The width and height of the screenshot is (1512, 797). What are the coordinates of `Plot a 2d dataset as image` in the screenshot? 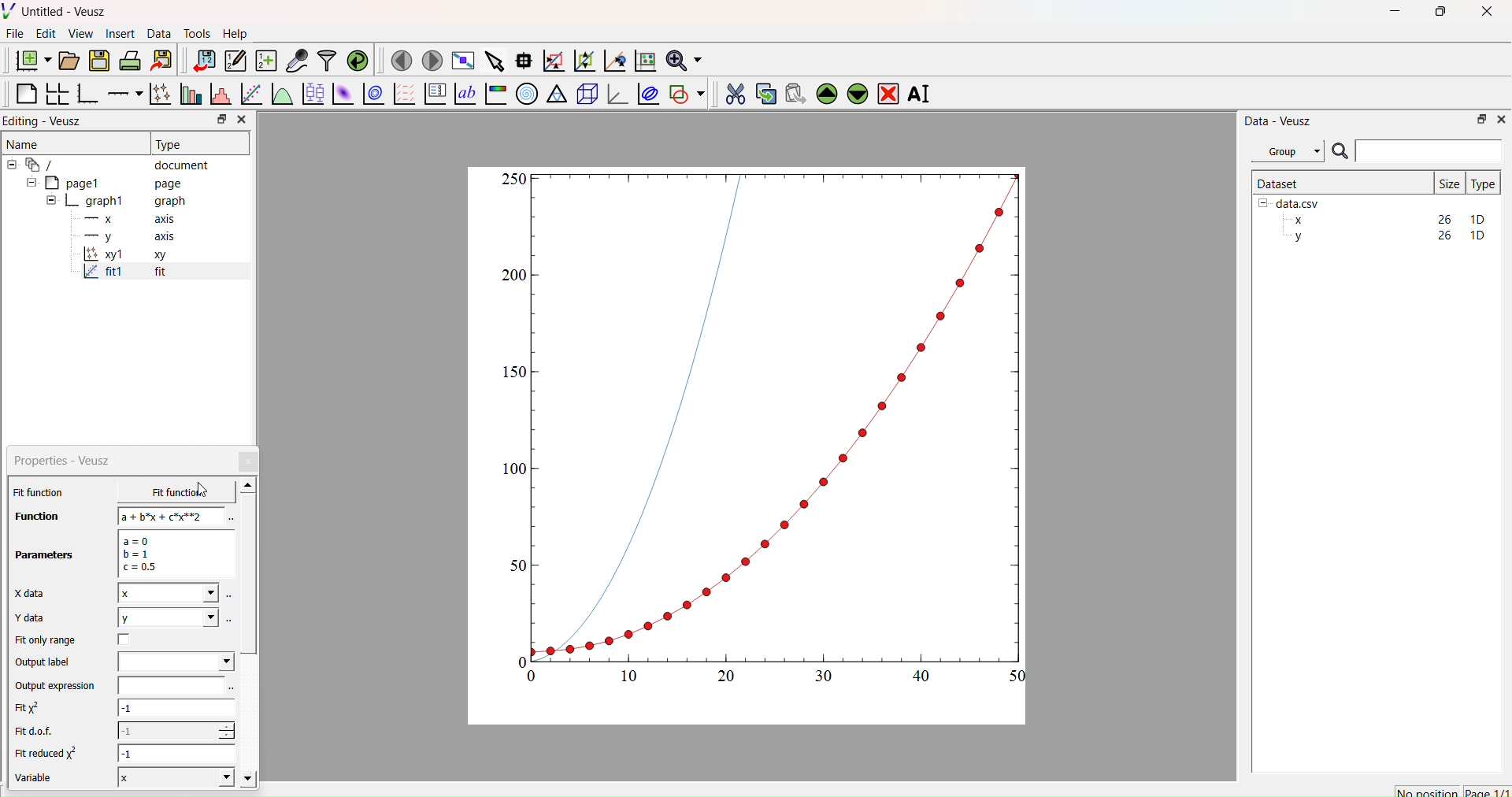 It's located at (342, 94).